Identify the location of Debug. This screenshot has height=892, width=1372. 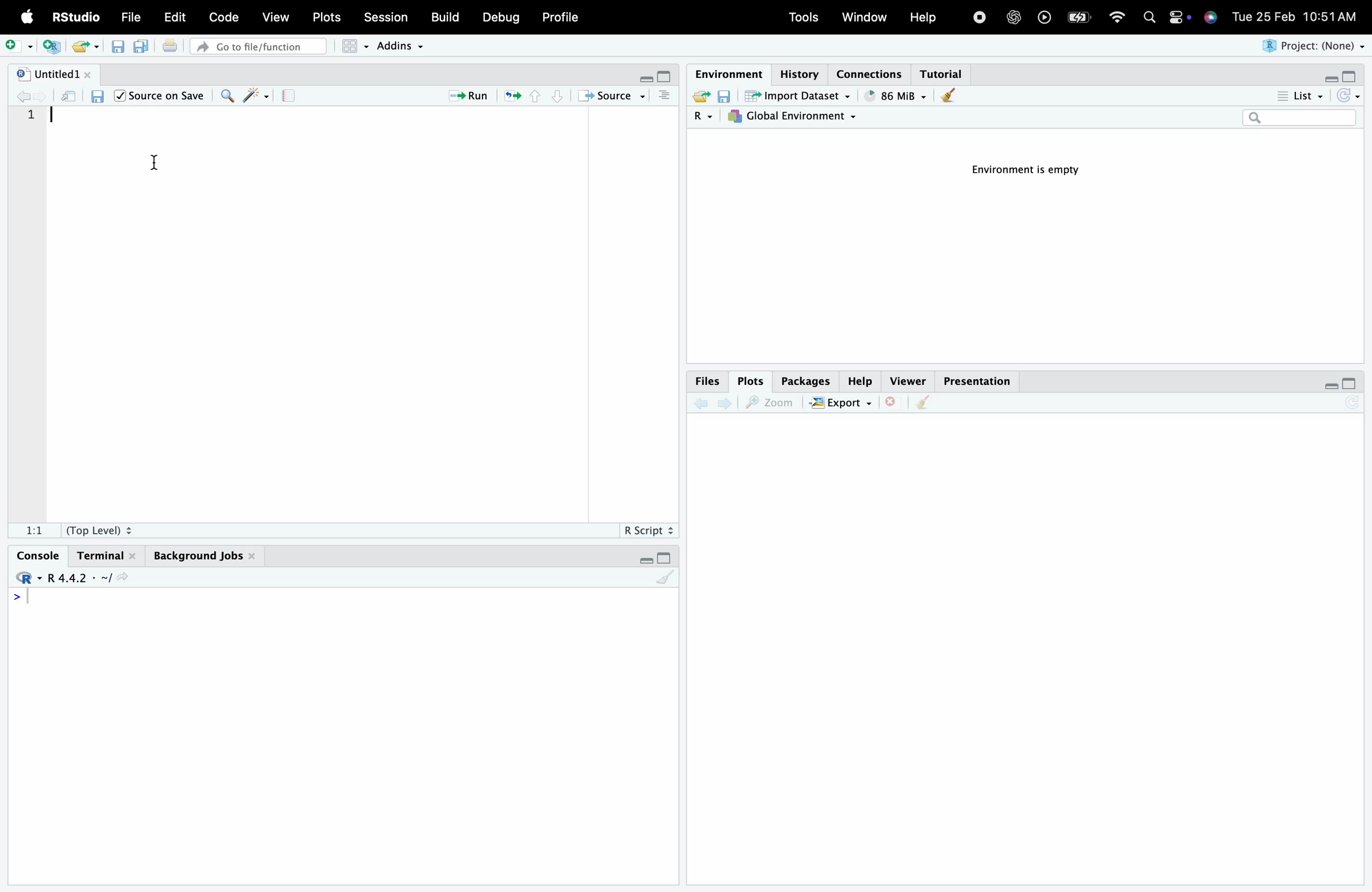
(500, 18).